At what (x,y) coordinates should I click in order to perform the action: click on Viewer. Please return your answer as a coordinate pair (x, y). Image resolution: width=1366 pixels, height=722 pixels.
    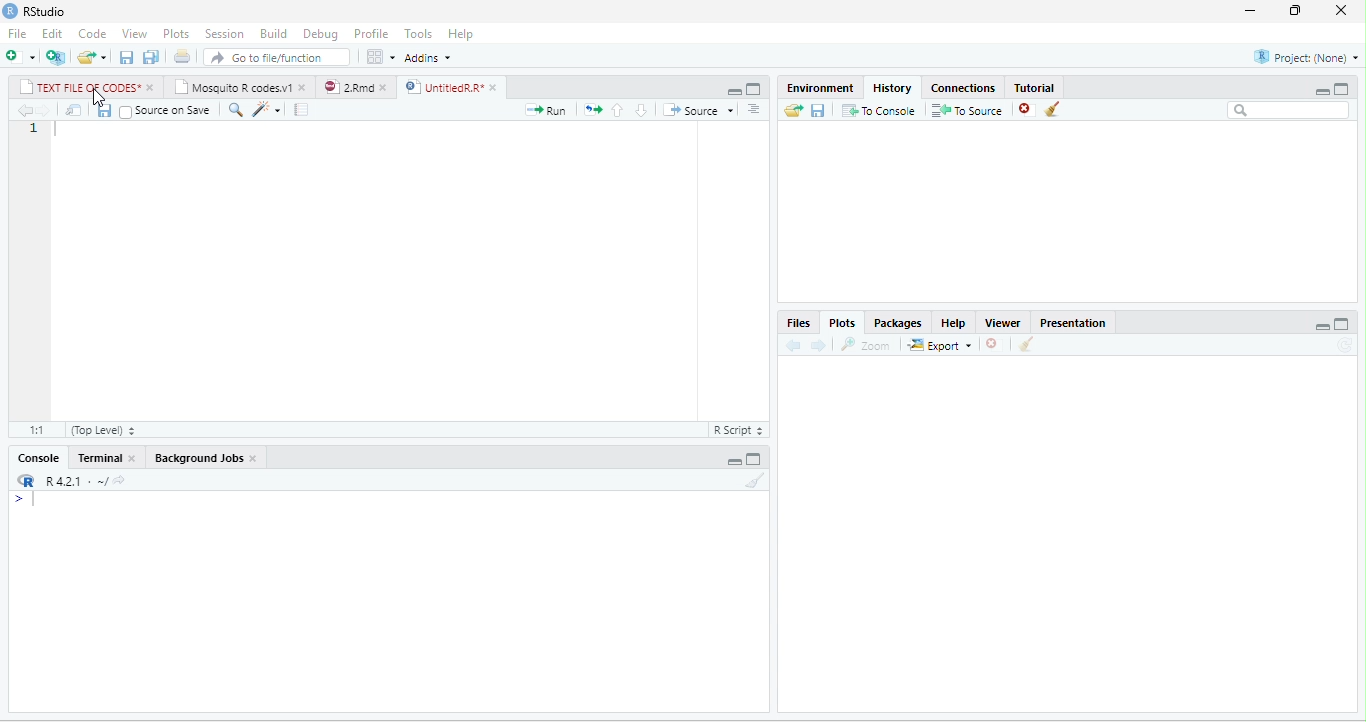
    Looking at the image, I should click on (1003, 323).